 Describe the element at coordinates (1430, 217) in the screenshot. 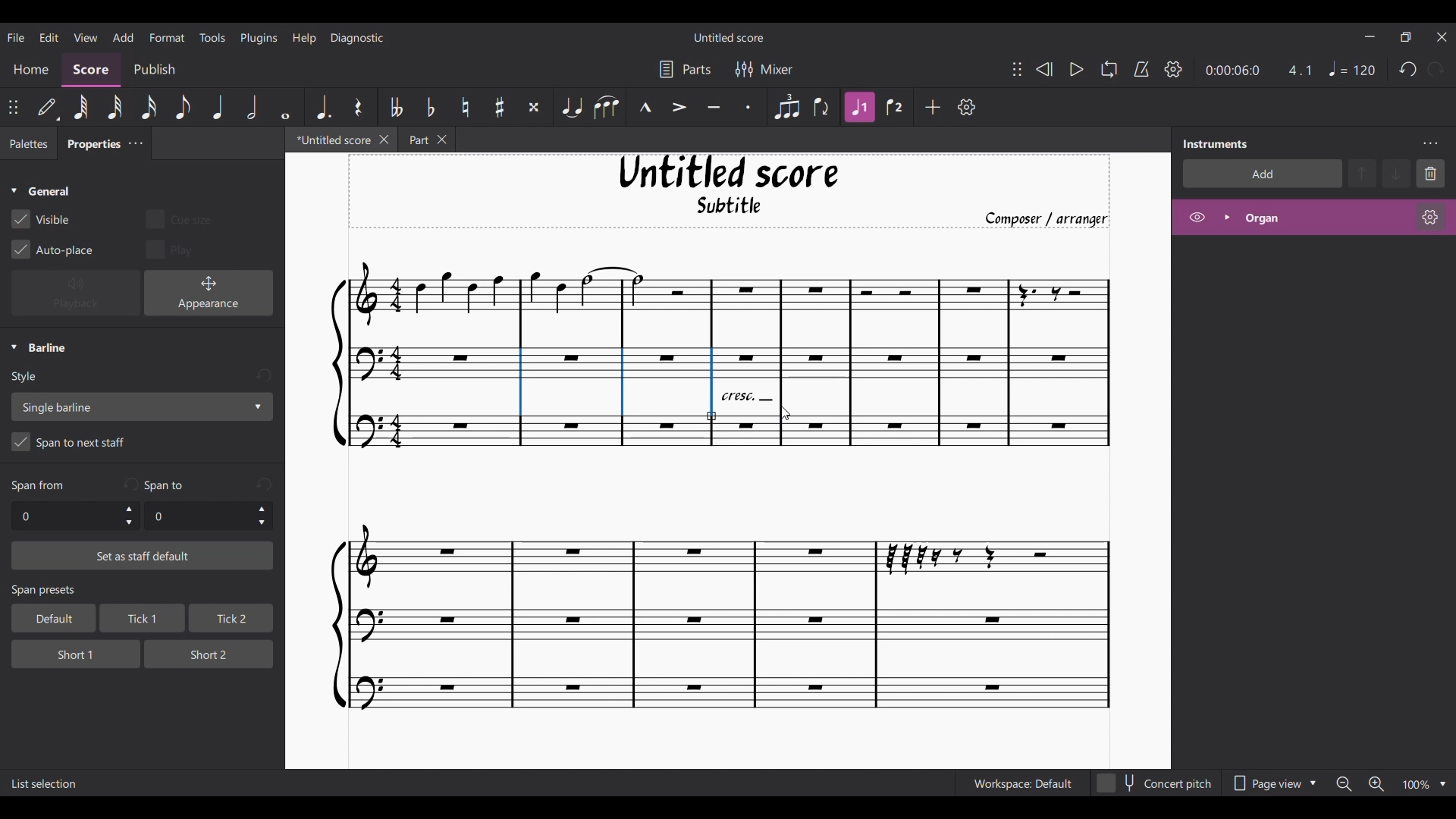

I see `Organ settings` at that location.